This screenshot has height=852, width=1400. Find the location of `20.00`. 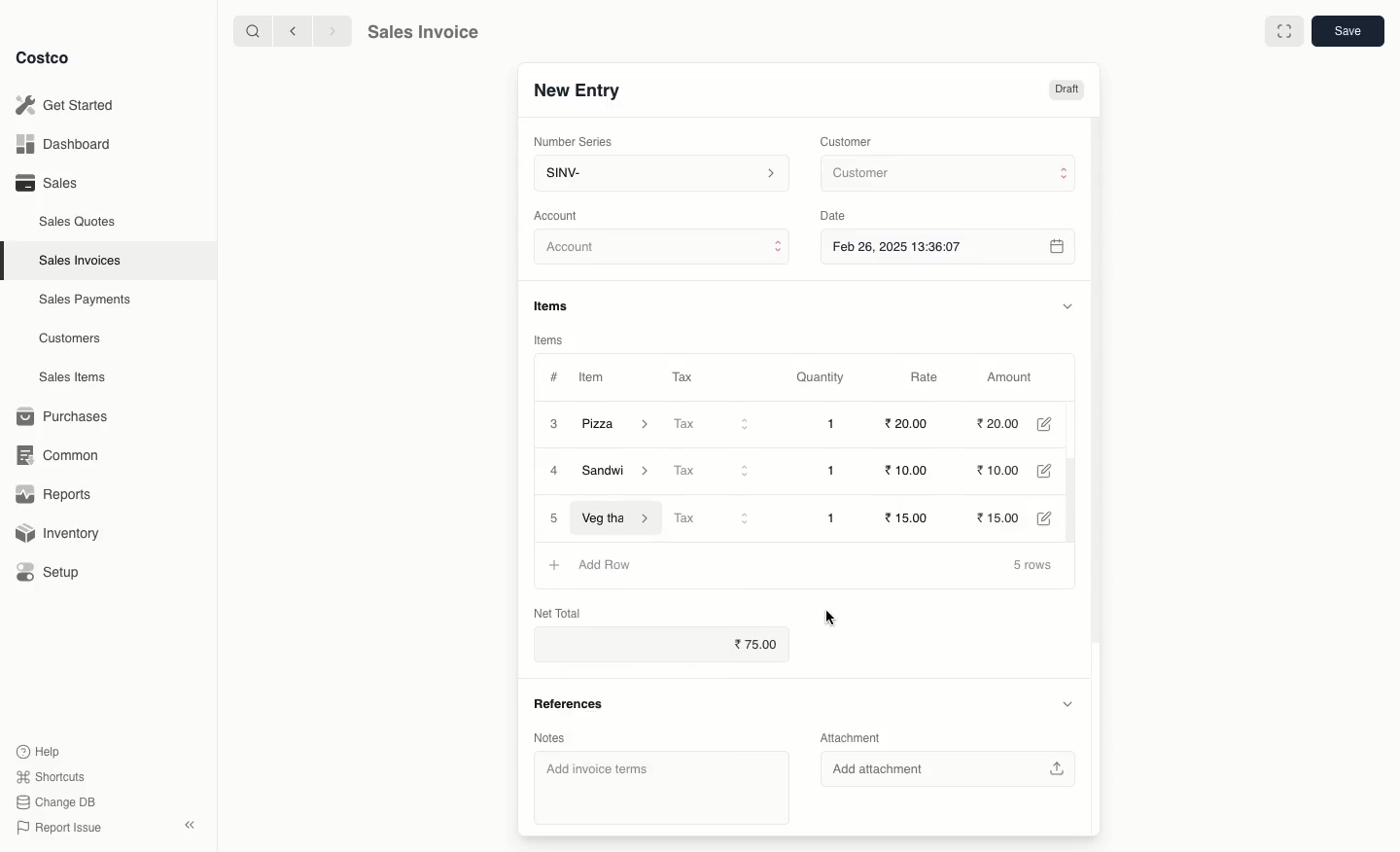

20.00 is located at coordinates (1000, 424).